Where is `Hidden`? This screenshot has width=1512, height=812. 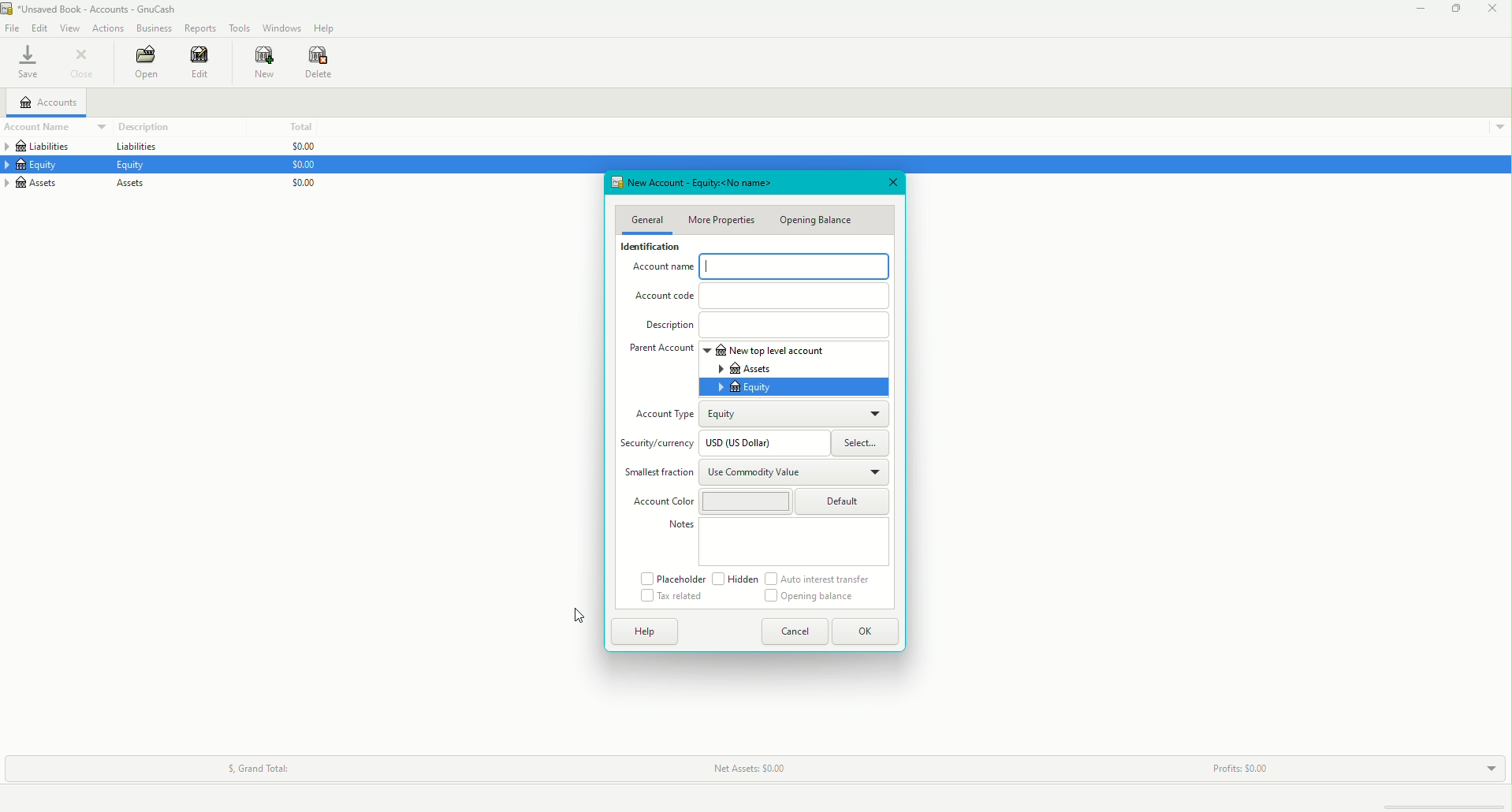
Hidden is located at coordinates (736, 579).